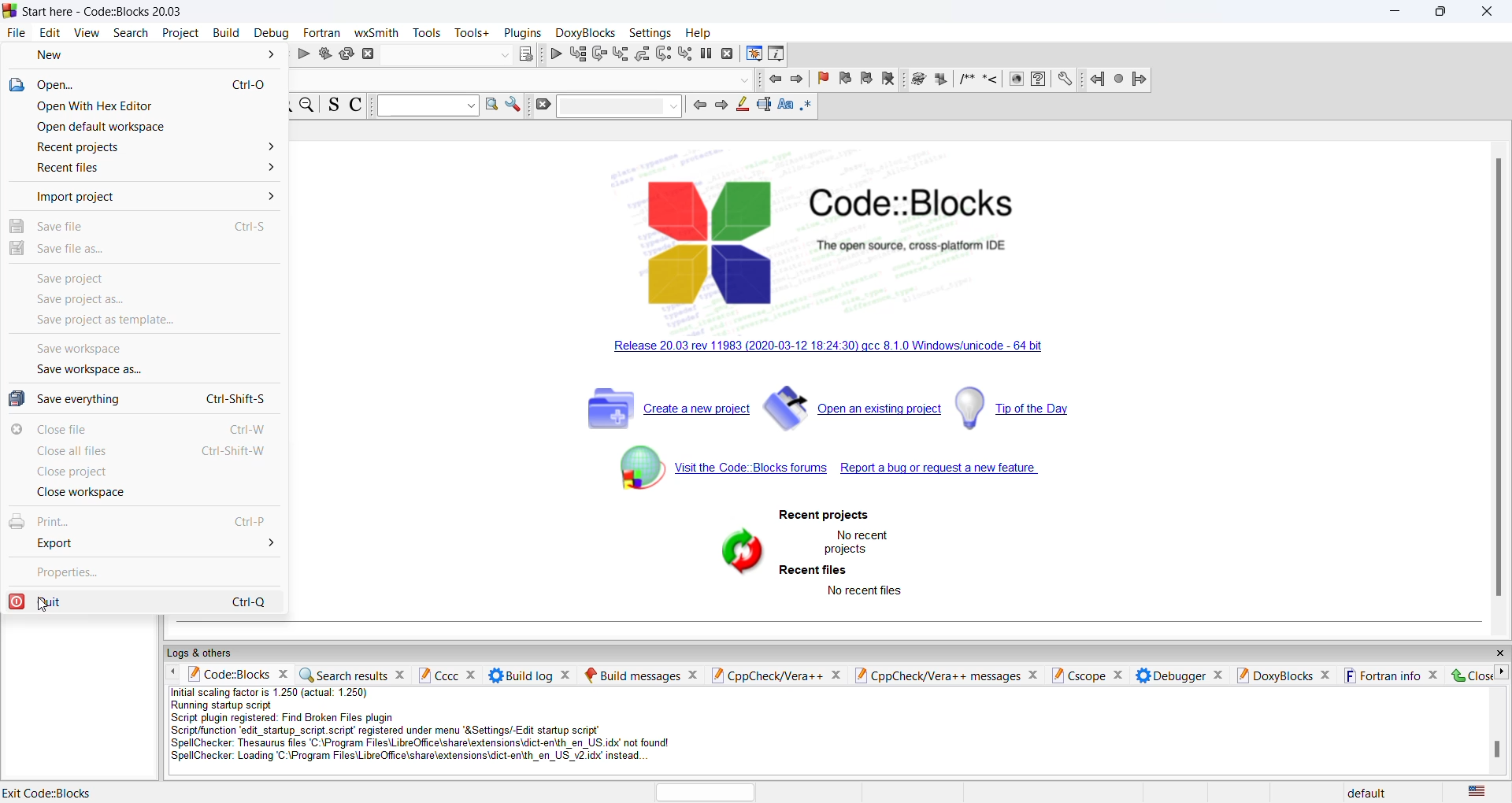 This screenshot has width=1512, height=803. Describe the element at coordinates (1380, 675) in the screenshot. I see `fortran info` at that location.